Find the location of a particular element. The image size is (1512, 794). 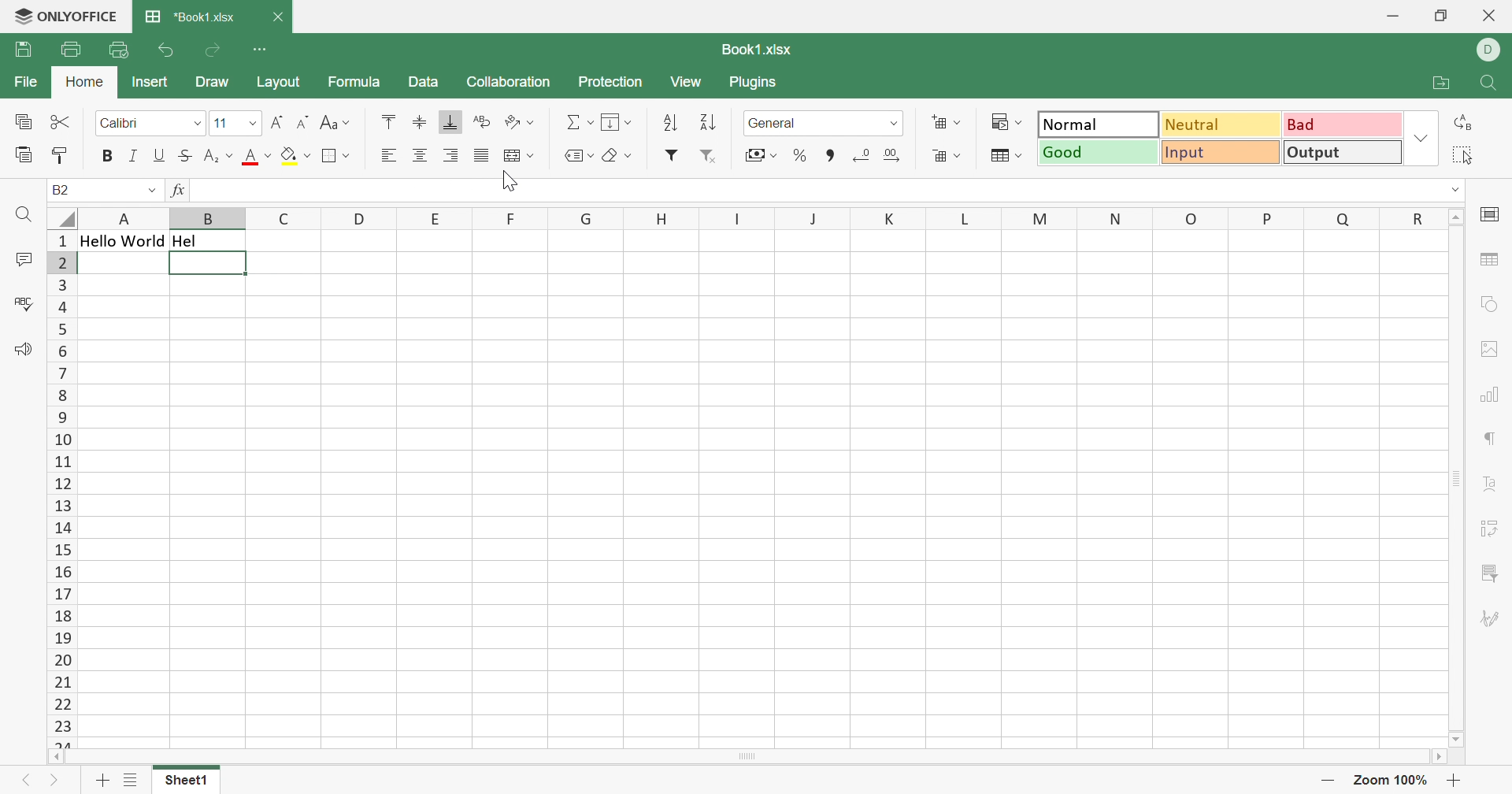

Replace is located at coordinates (1462, 122).